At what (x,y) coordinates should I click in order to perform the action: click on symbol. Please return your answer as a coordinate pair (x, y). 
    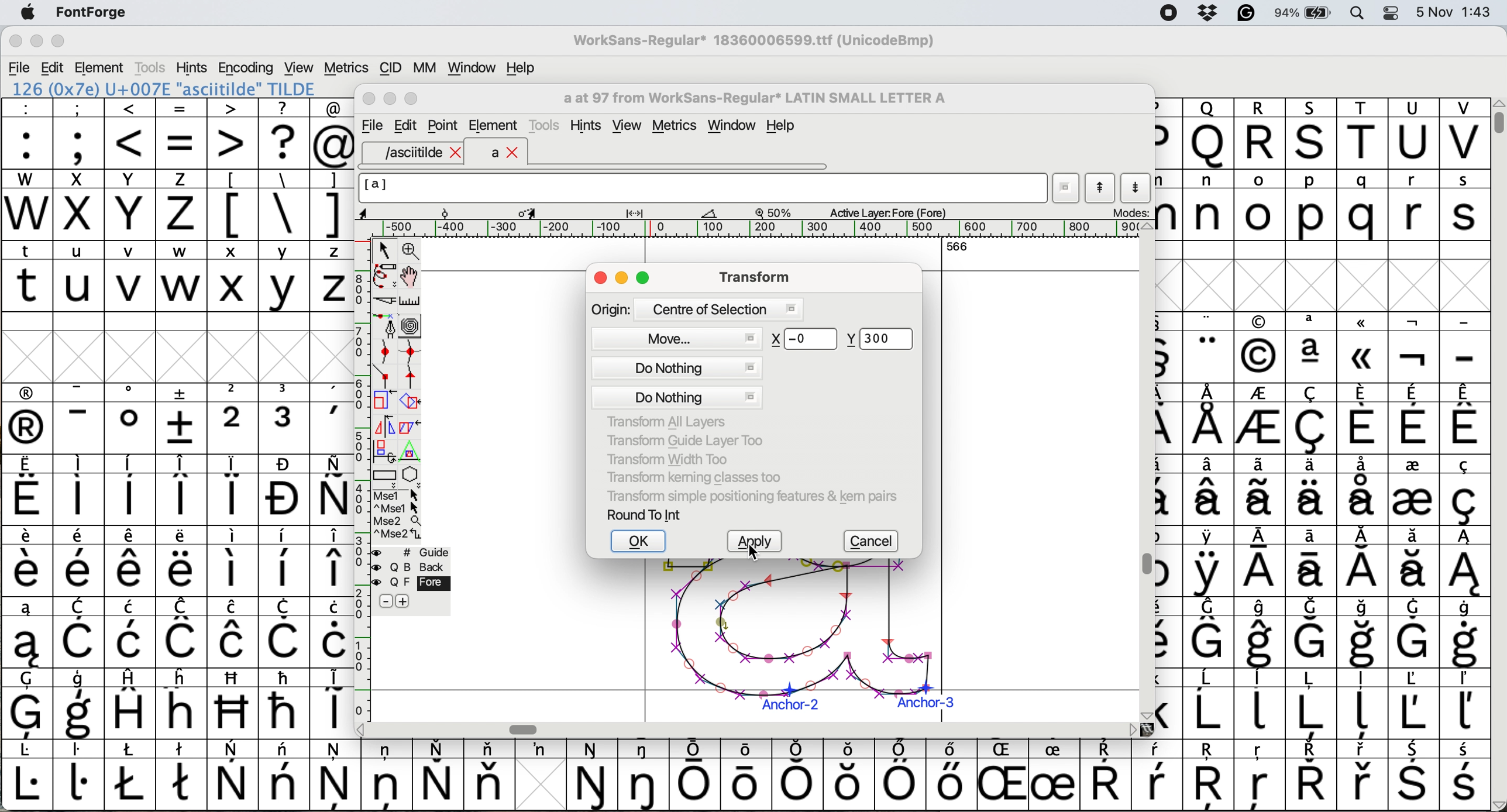
    Looking at the image, I should click on (1464, 562).